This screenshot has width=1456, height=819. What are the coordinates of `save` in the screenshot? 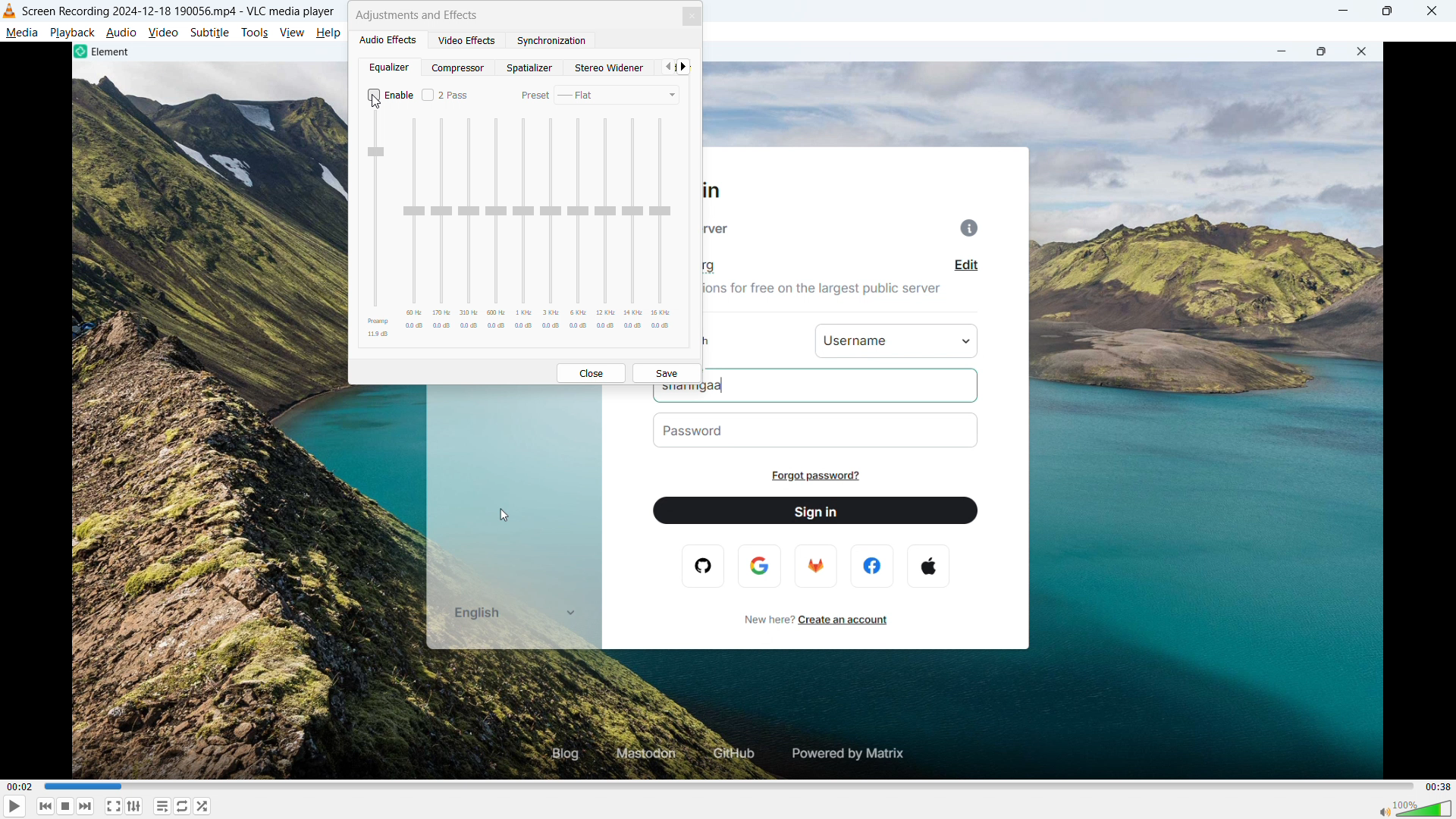 It's located at (667, 374).